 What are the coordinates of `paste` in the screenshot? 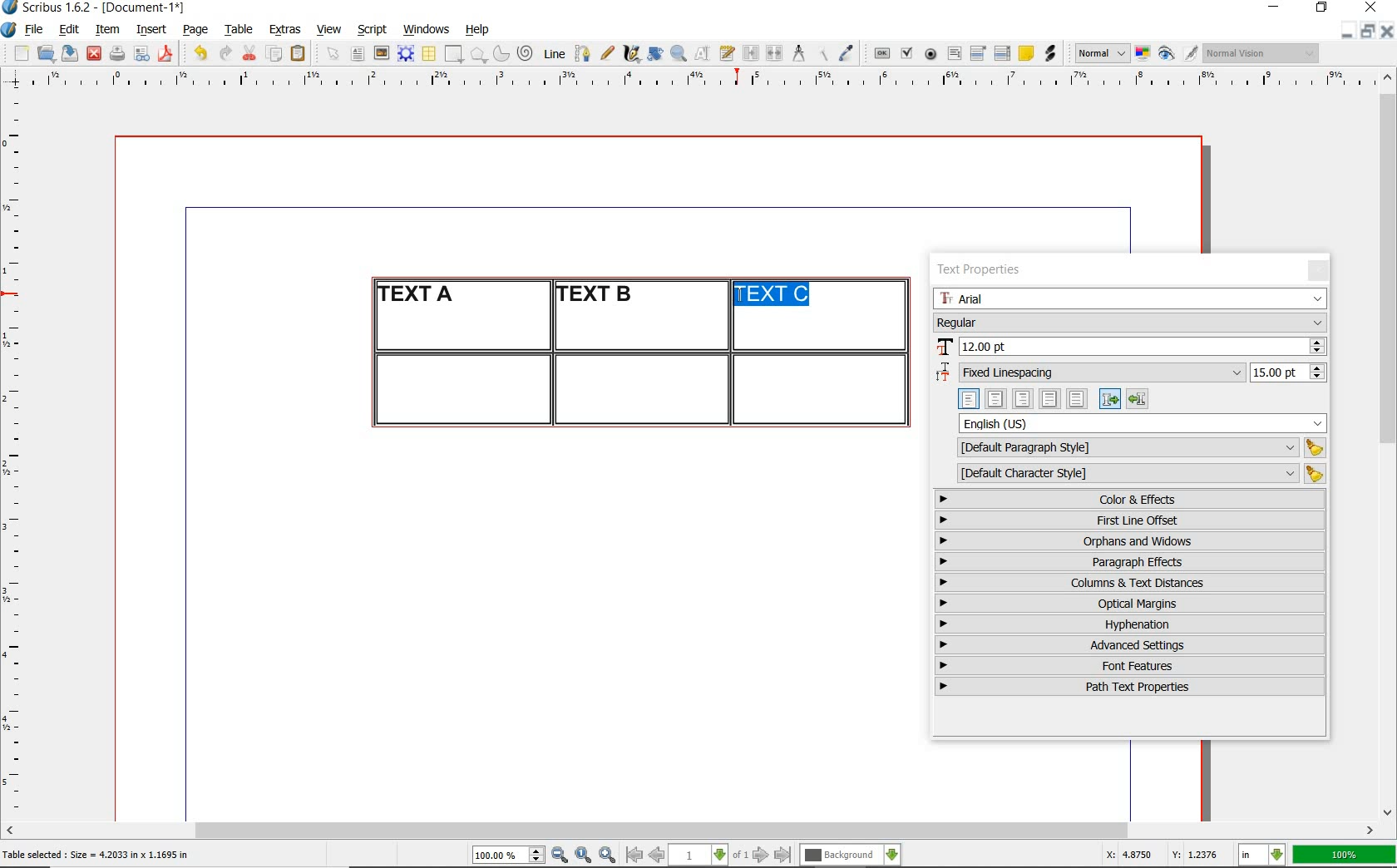 It's located at (301, 54).